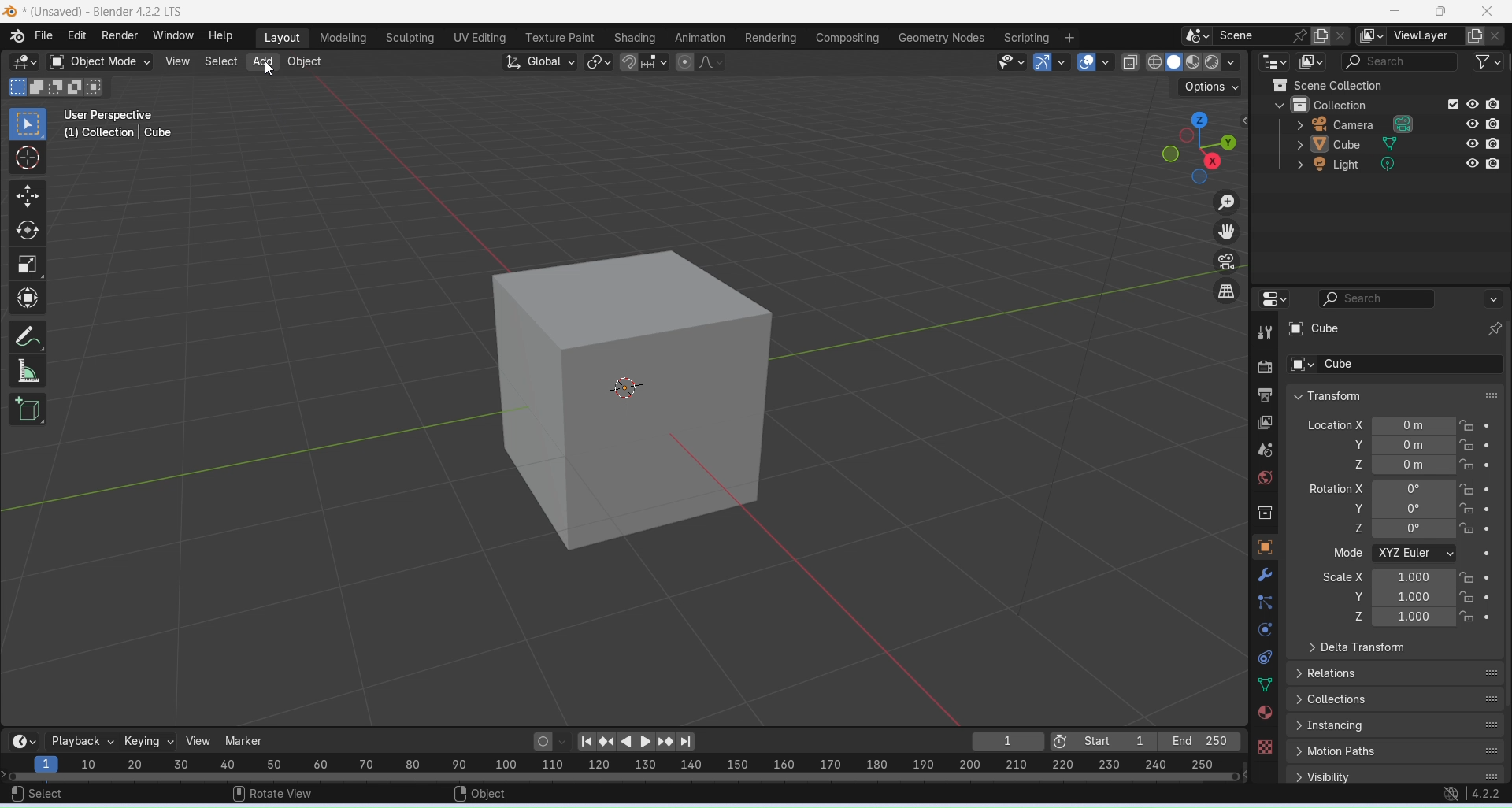 The width and height of the screenshot is (1512, 808). I want to click on Switch the current view, so click(1228, 291).